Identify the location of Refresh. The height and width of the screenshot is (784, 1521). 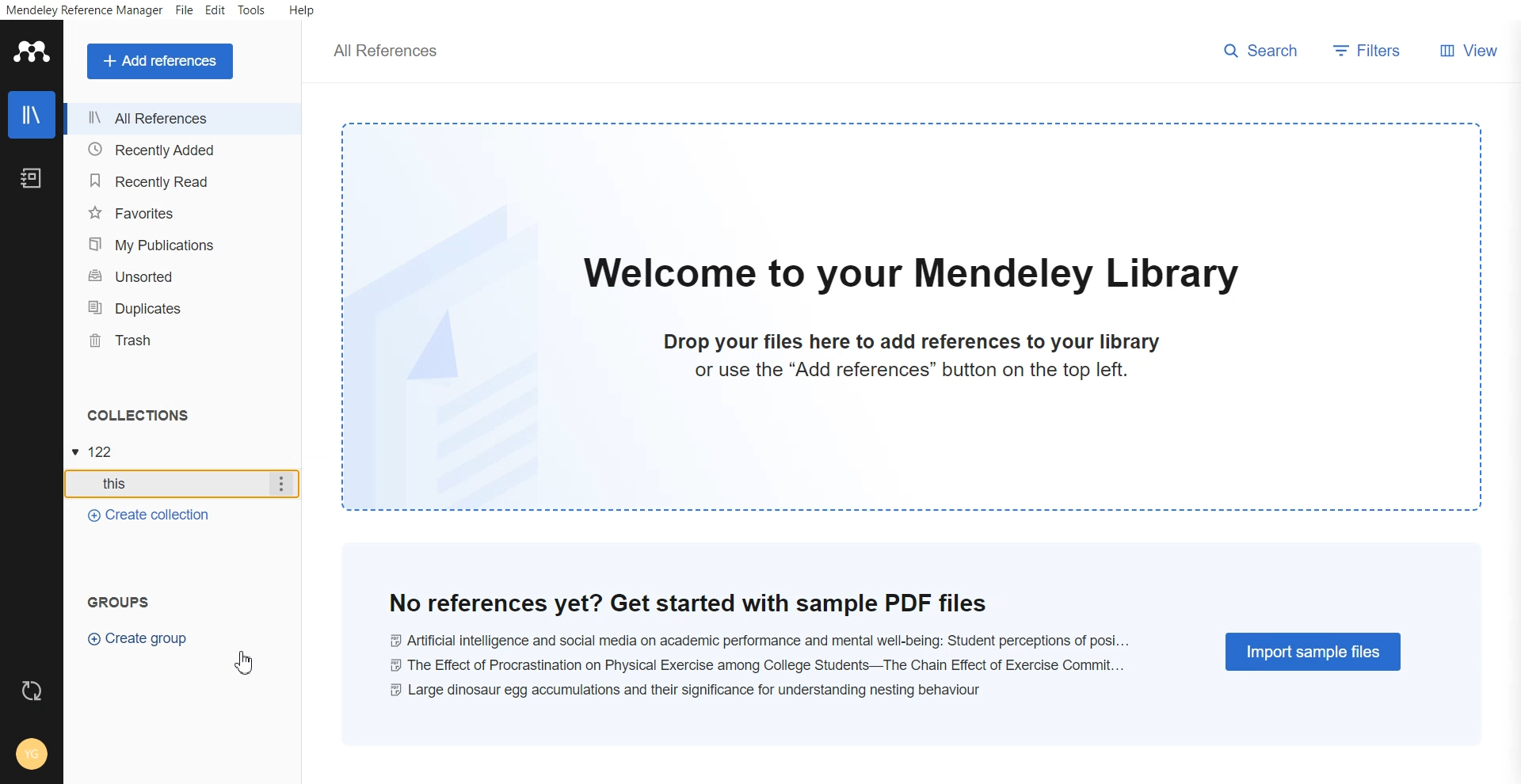
(31, 690).